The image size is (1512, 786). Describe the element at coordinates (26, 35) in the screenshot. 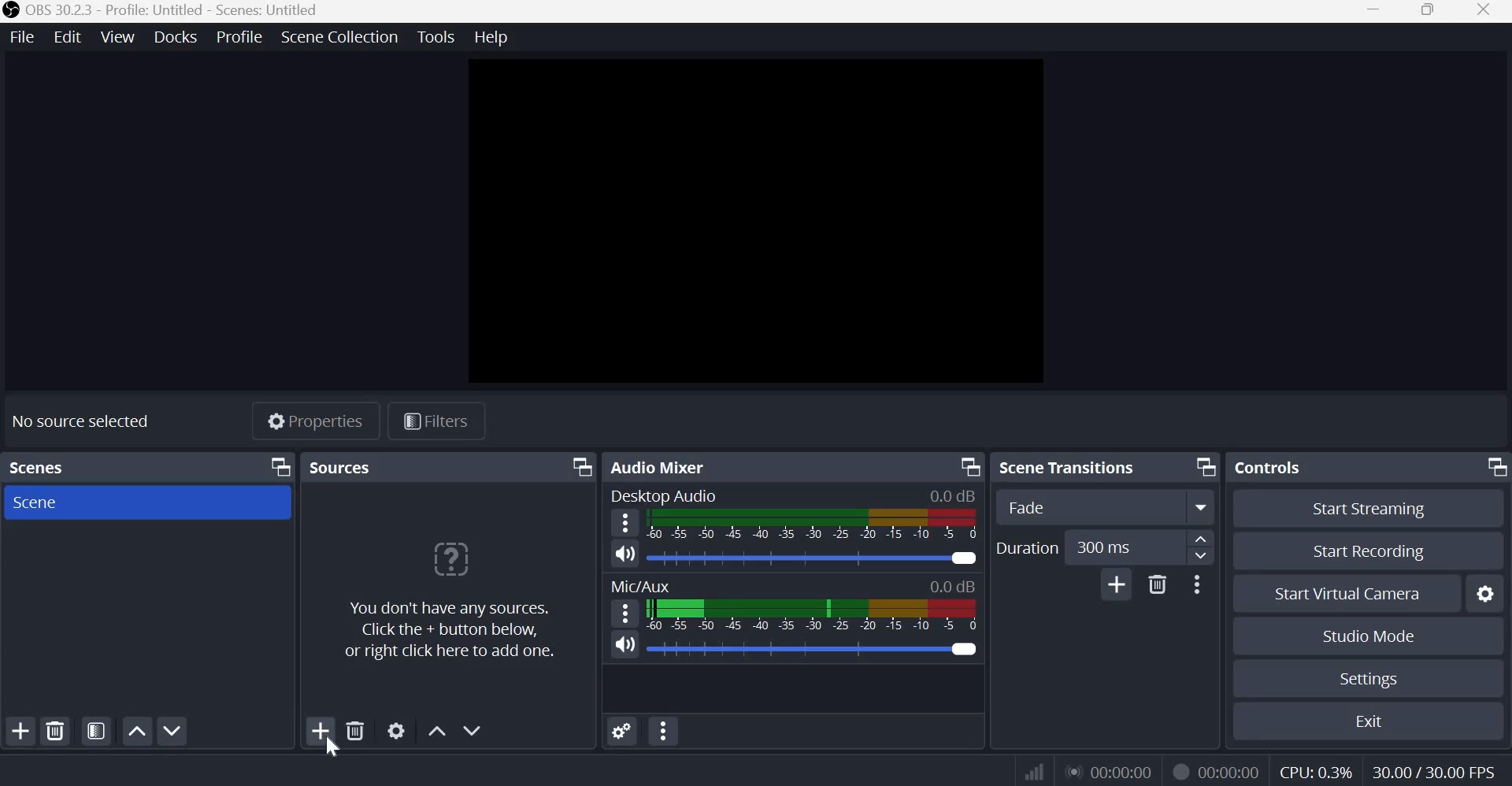

I see `File` at that location.